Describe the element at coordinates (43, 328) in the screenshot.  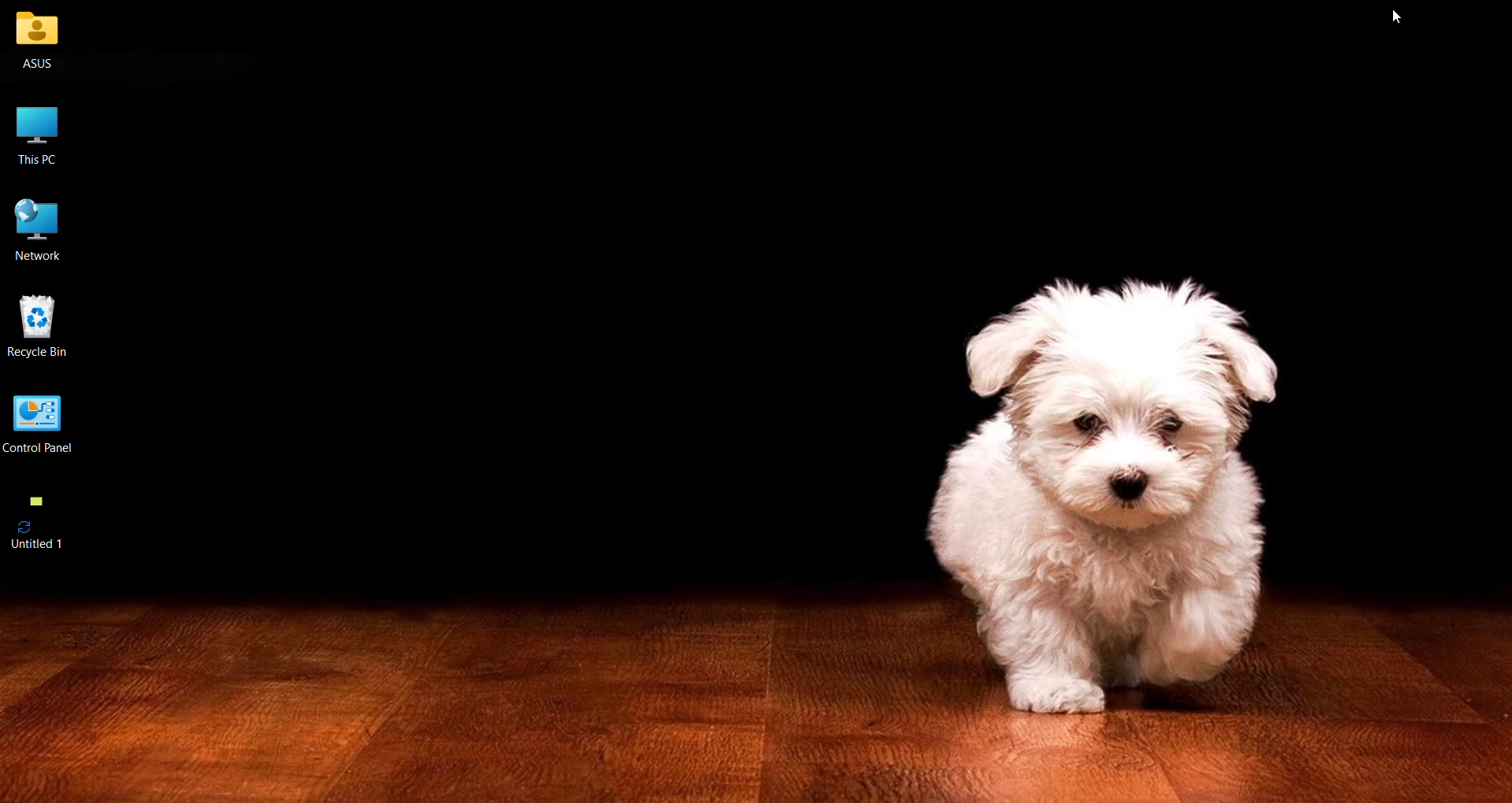
I see `recycle bin` at that location.